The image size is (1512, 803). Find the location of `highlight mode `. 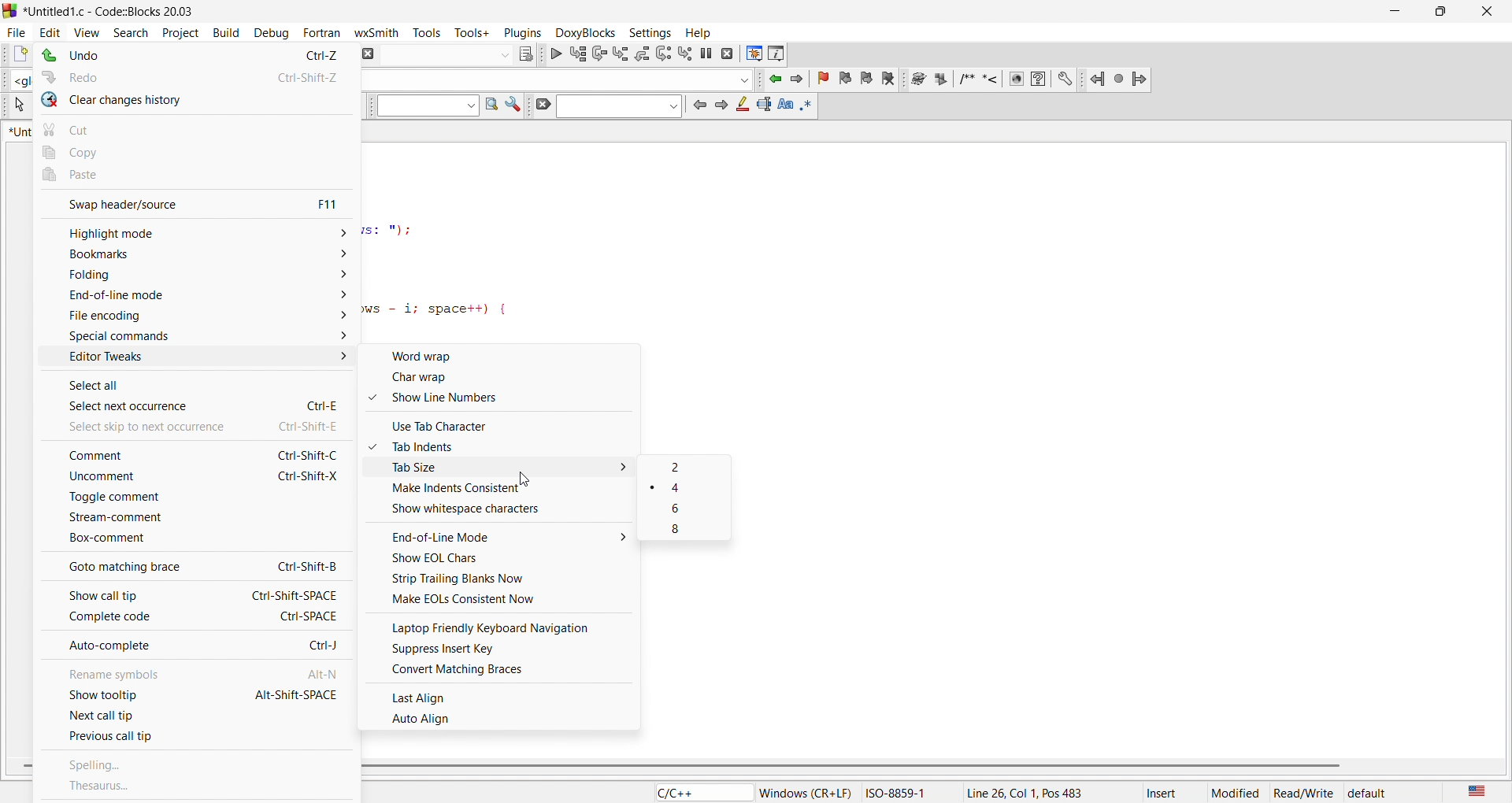

highlight mode  is located at coordinates (194, 231).